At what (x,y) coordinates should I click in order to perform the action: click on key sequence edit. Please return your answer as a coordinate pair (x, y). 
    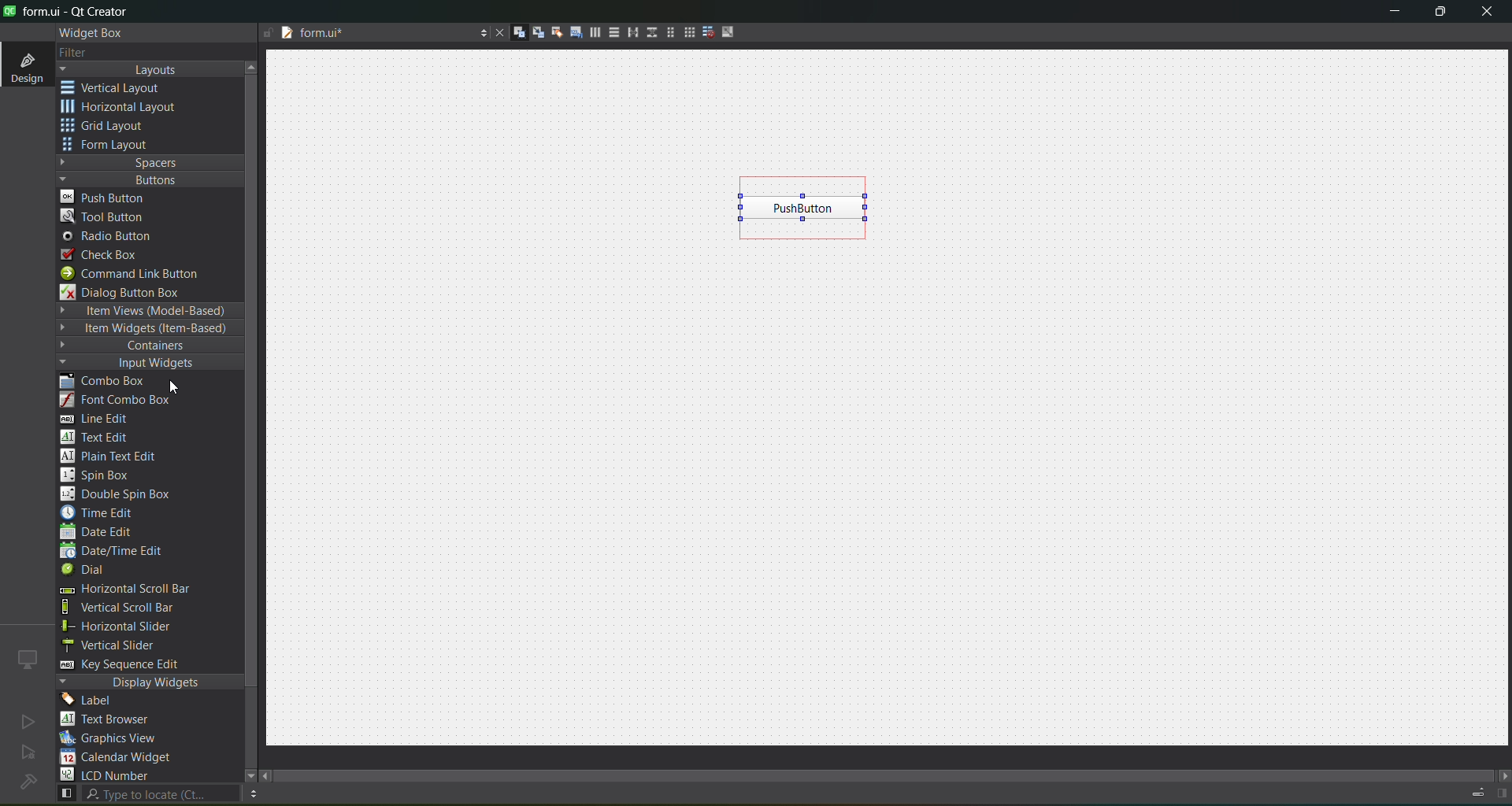
    Looking at the image, I should click on (131, 665).